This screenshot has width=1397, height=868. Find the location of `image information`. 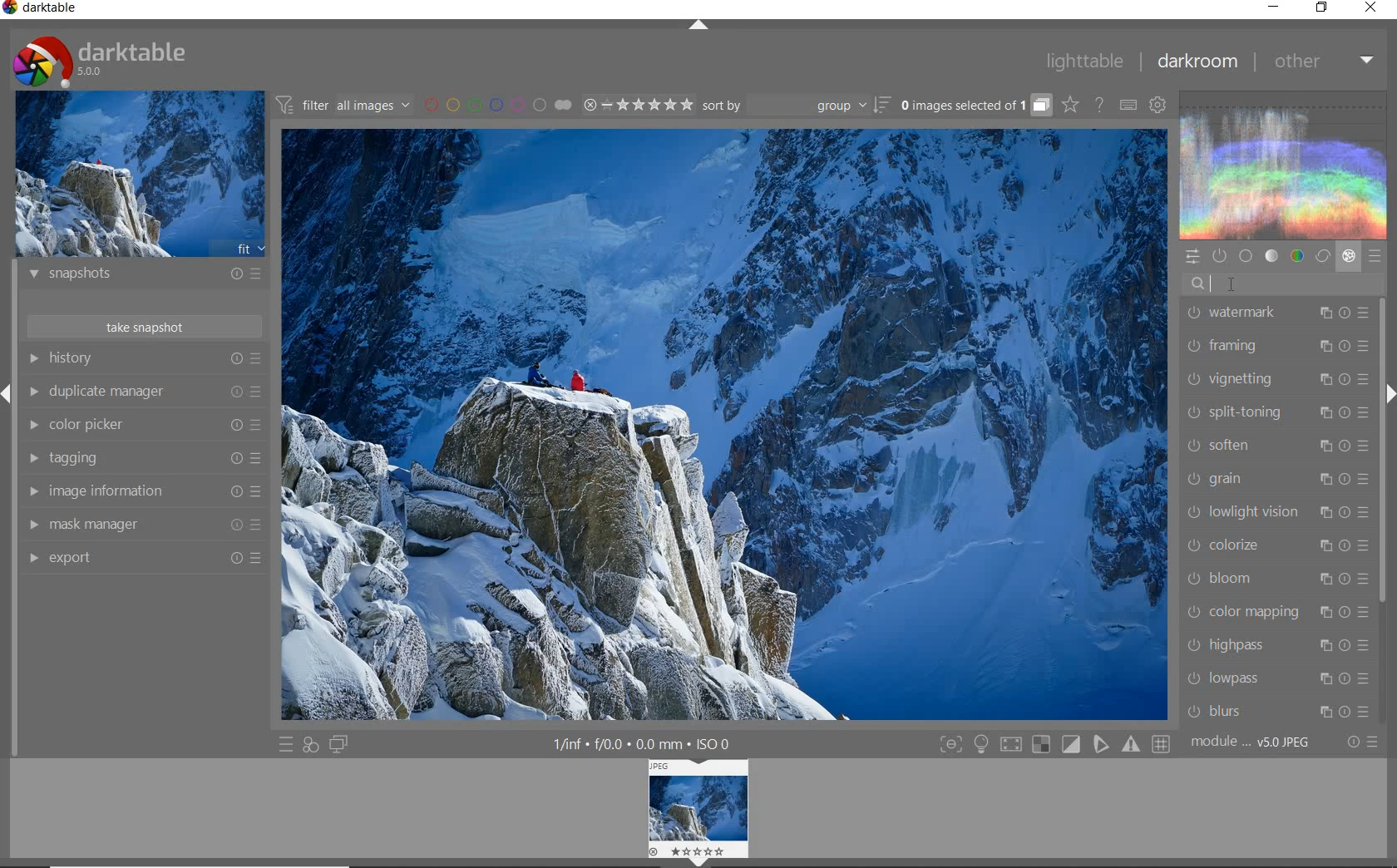

image information is located at coordinates (143, 491).